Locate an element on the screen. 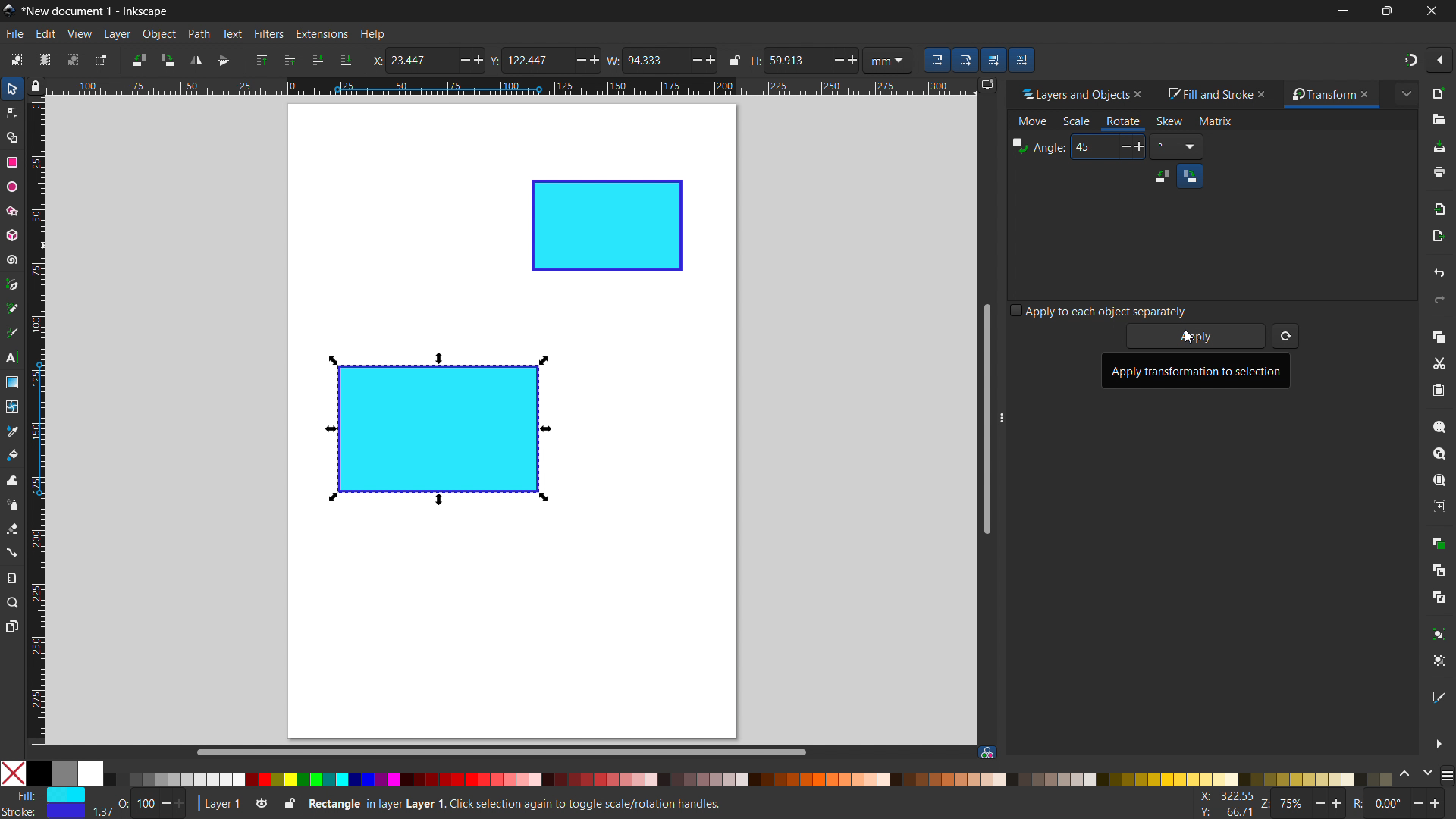  zoom page is located at coordinates (1439, 481).